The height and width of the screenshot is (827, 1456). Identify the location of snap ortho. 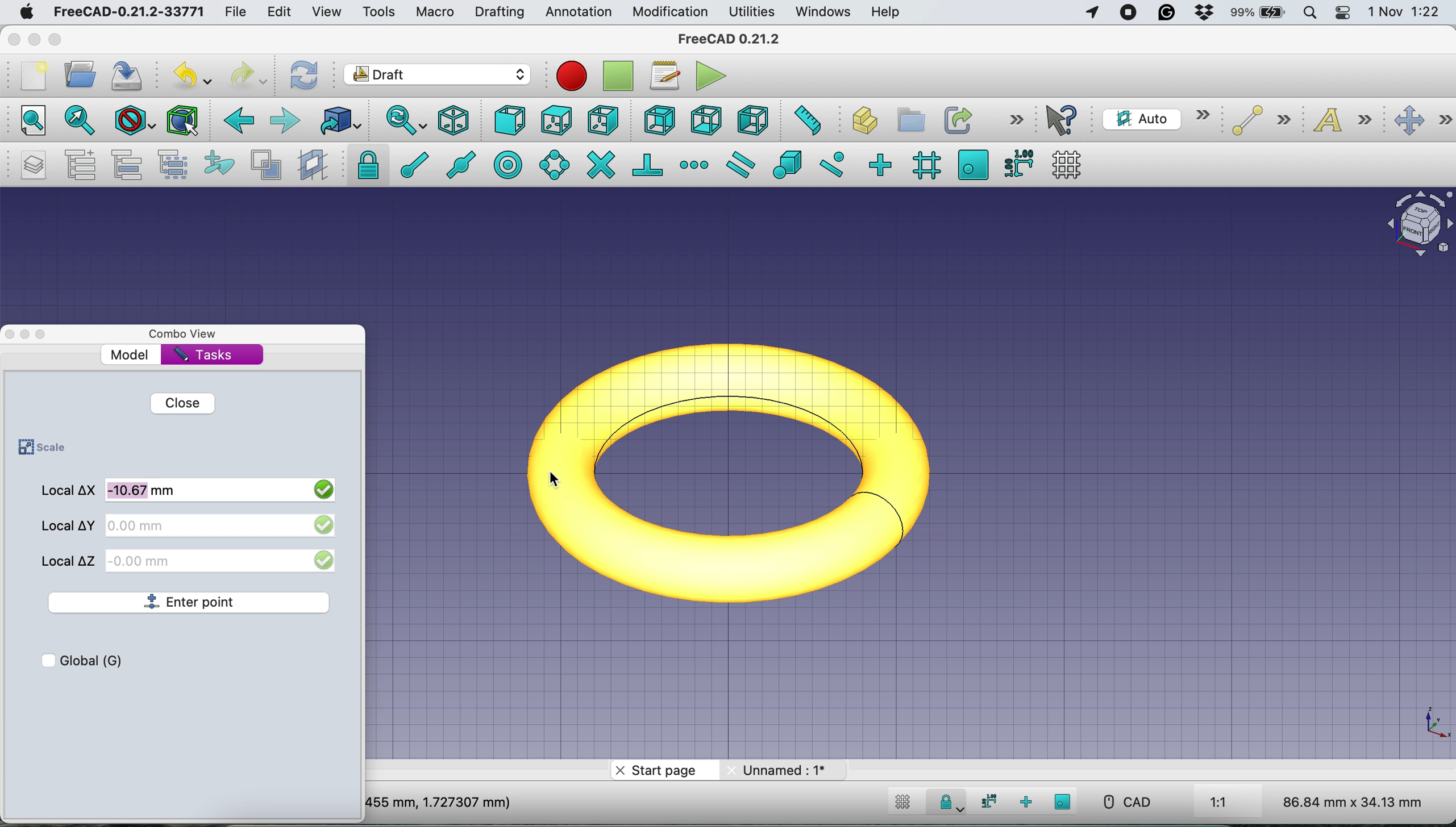
(883, 164).